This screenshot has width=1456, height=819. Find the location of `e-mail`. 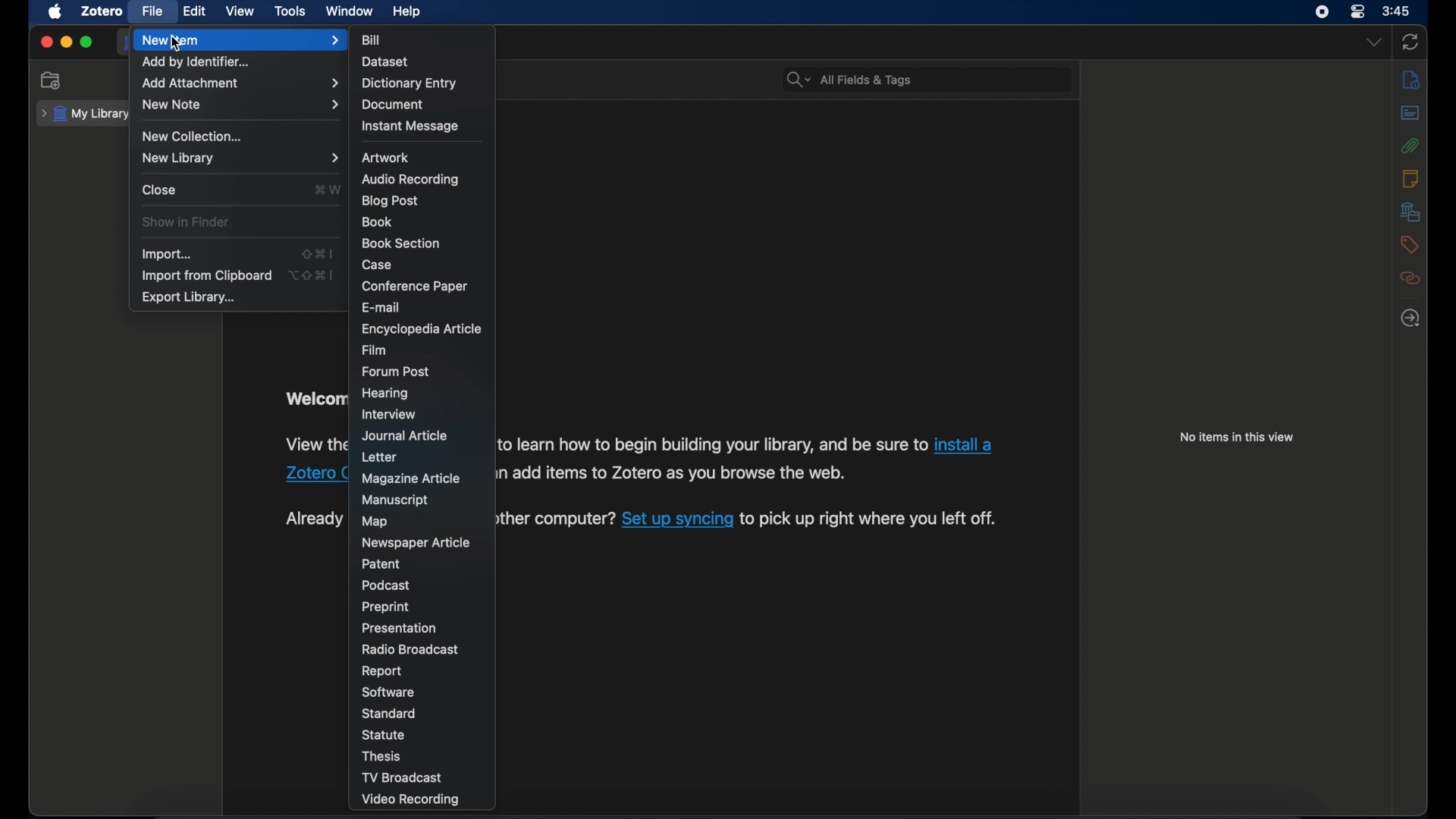

e-mail is located at coordinates (384, 306).